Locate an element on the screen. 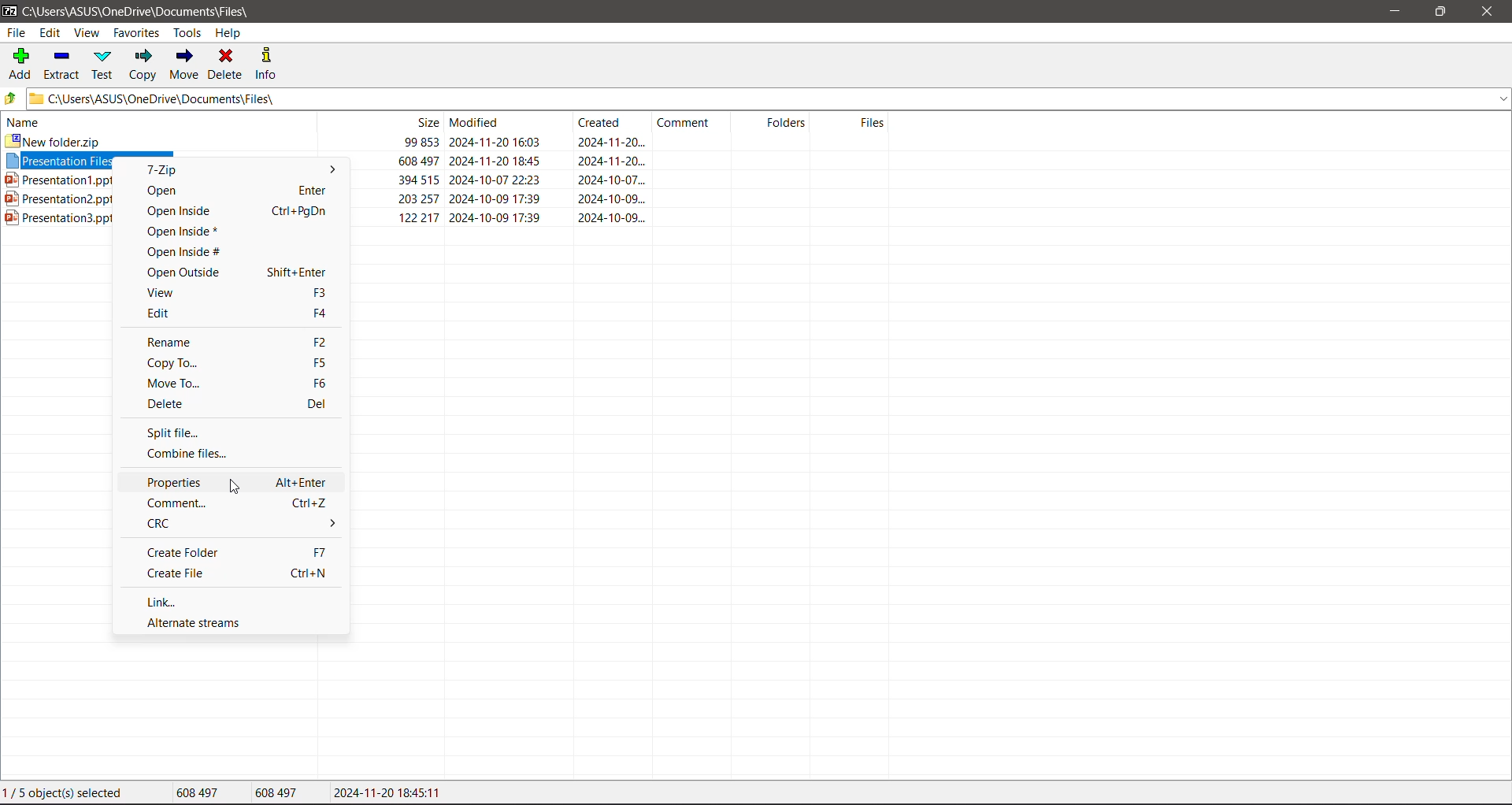 This screenshot has height=805, width=1512. Comment is located at coordinates (690, 123).